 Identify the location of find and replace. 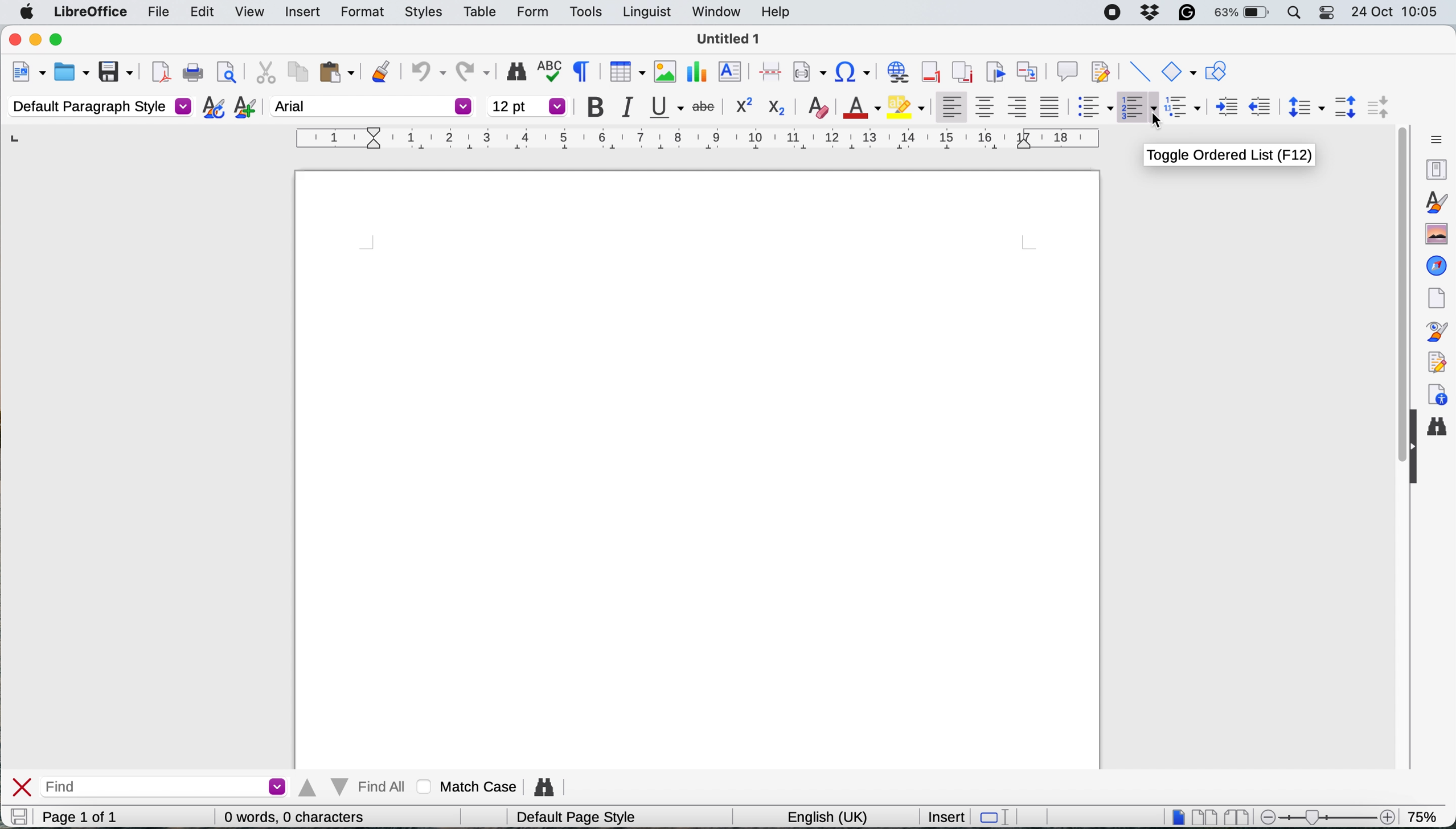
(1439, 429).